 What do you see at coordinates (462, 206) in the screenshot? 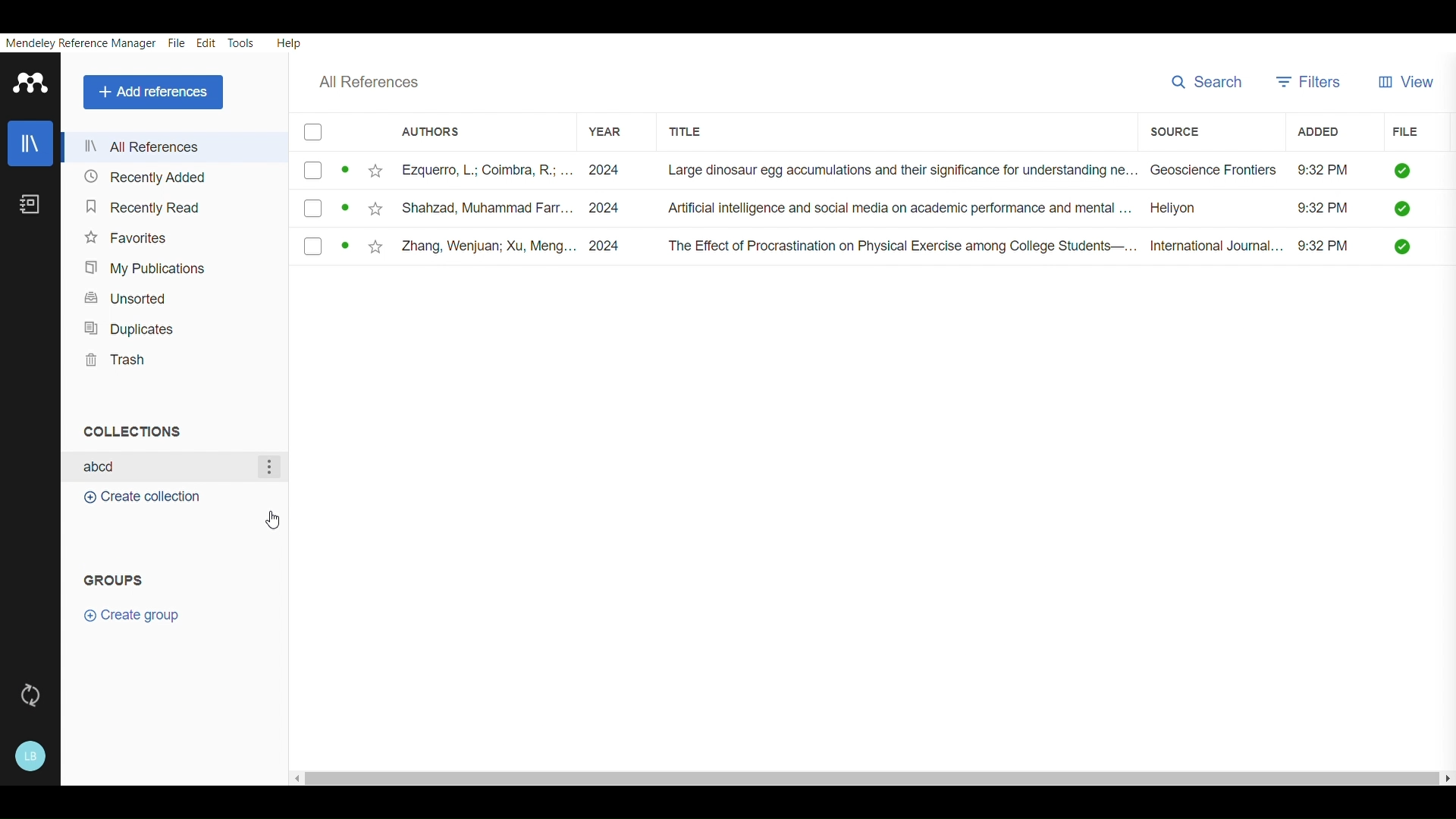
I see `Shahzad, Muhammad Farr.` at bounding box center [462, 206].